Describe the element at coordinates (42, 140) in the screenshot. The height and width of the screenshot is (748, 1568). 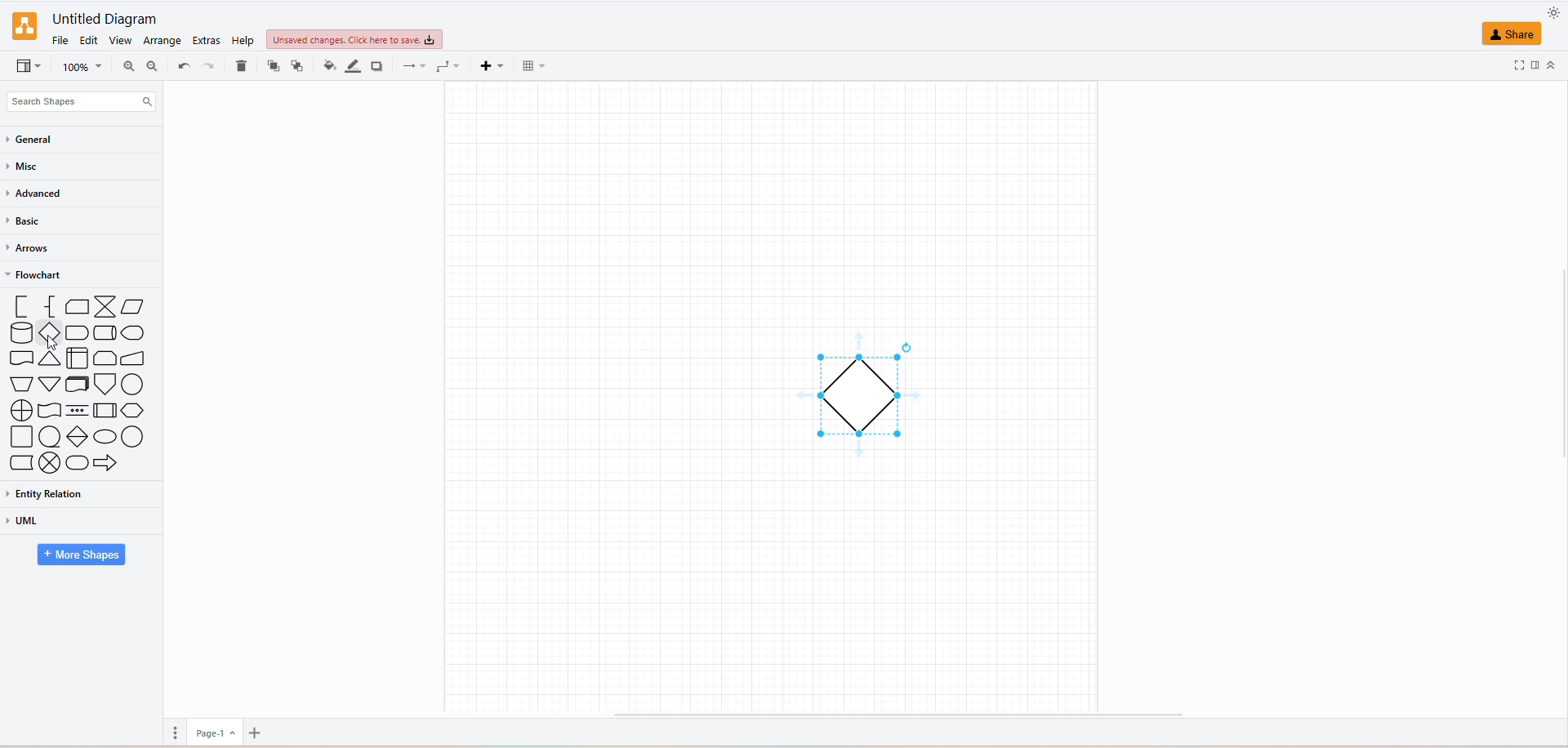
I see `GENERAL` at that location.